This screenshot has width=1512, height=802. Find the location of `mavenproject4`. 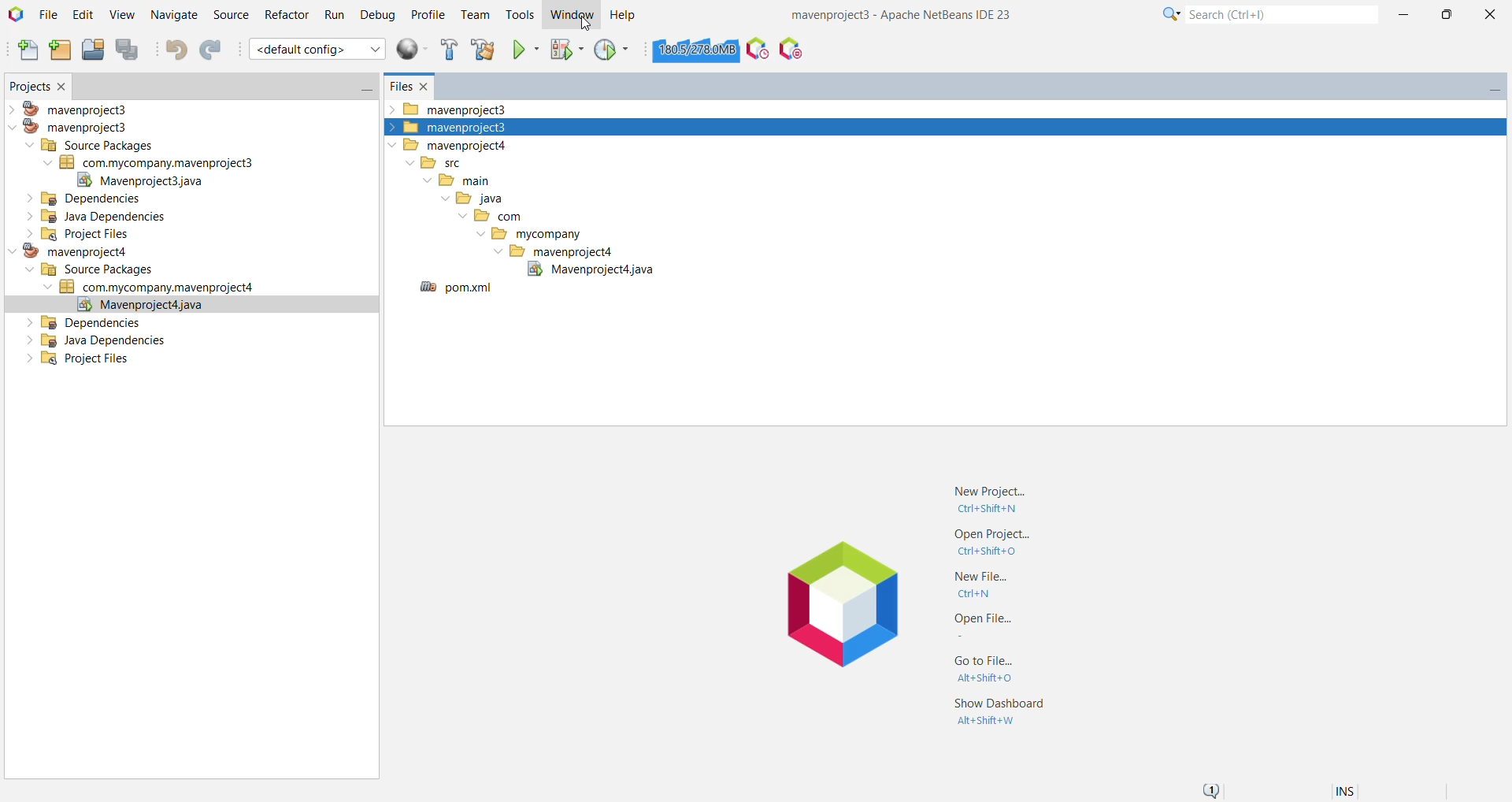

mavenproject4 is located at coordinates (447, 146).